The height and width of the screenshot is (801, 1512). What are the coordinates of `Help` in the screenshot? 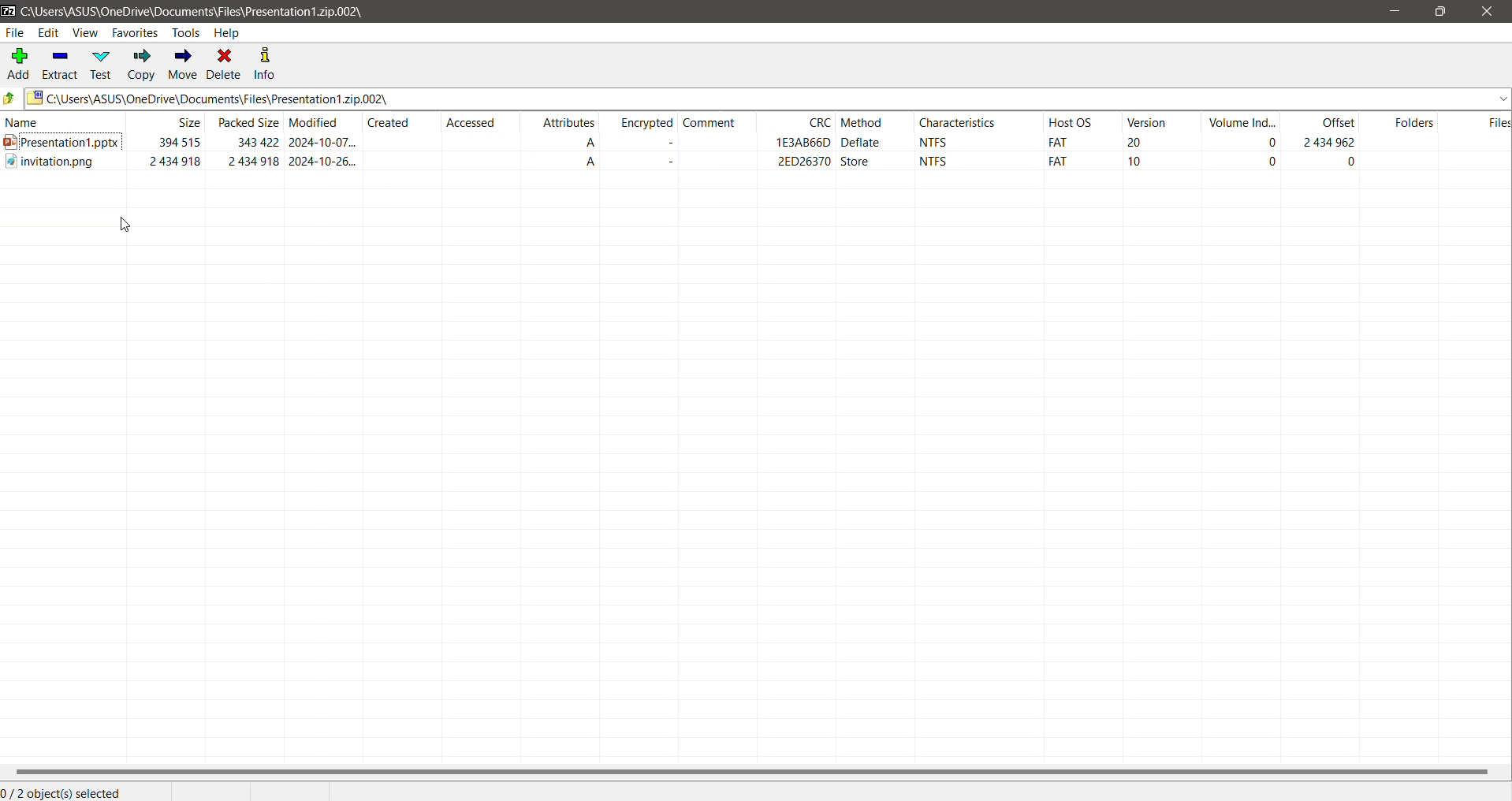 It's located at (230, 33).